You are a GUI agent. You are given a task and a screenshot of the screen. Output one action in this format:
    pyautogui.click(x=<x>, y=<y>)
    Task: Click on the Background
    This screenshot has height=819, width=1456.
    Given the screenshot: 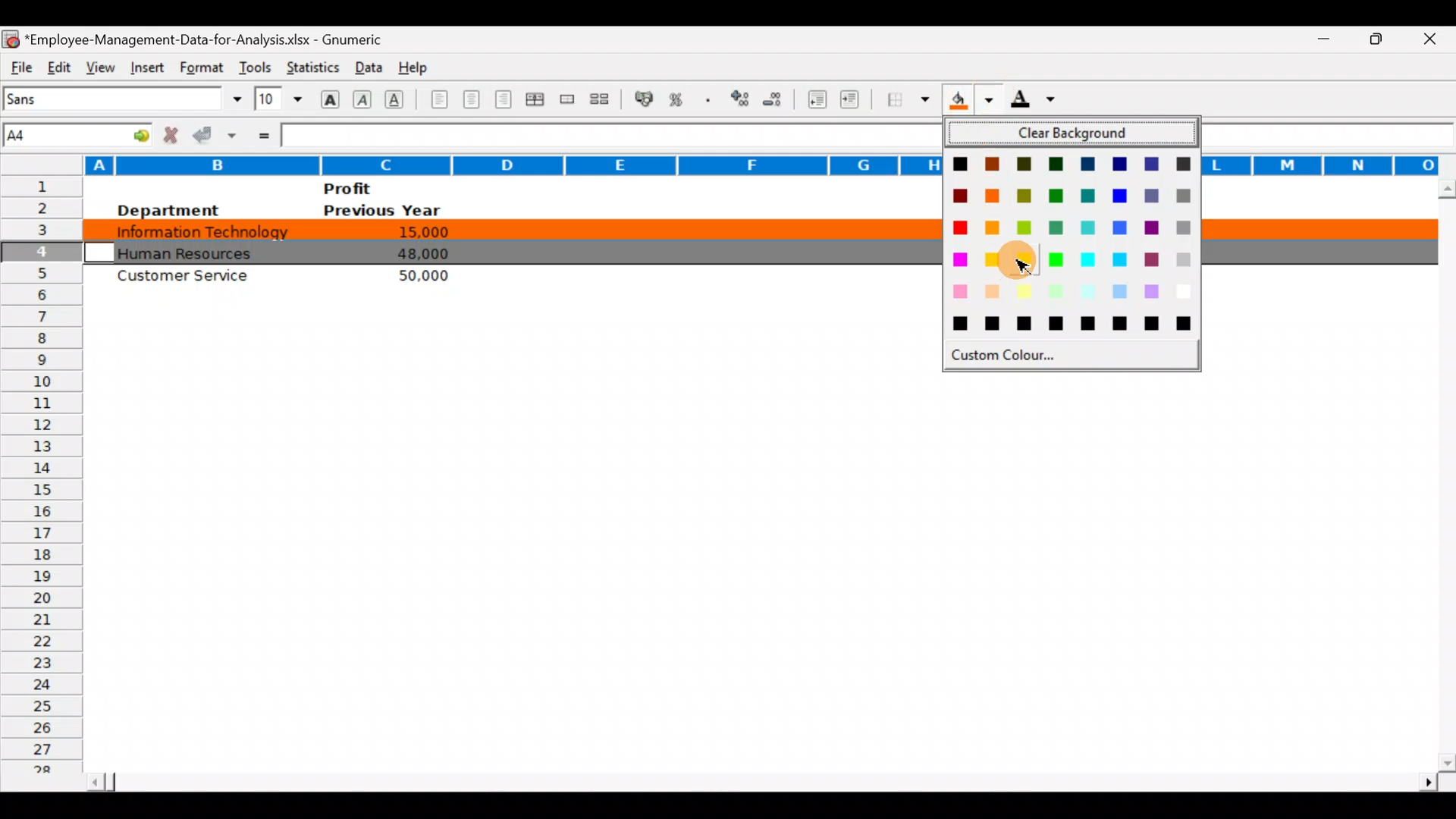 What is the action you would take?
    pyautogui.click(x=969, y=104)
    